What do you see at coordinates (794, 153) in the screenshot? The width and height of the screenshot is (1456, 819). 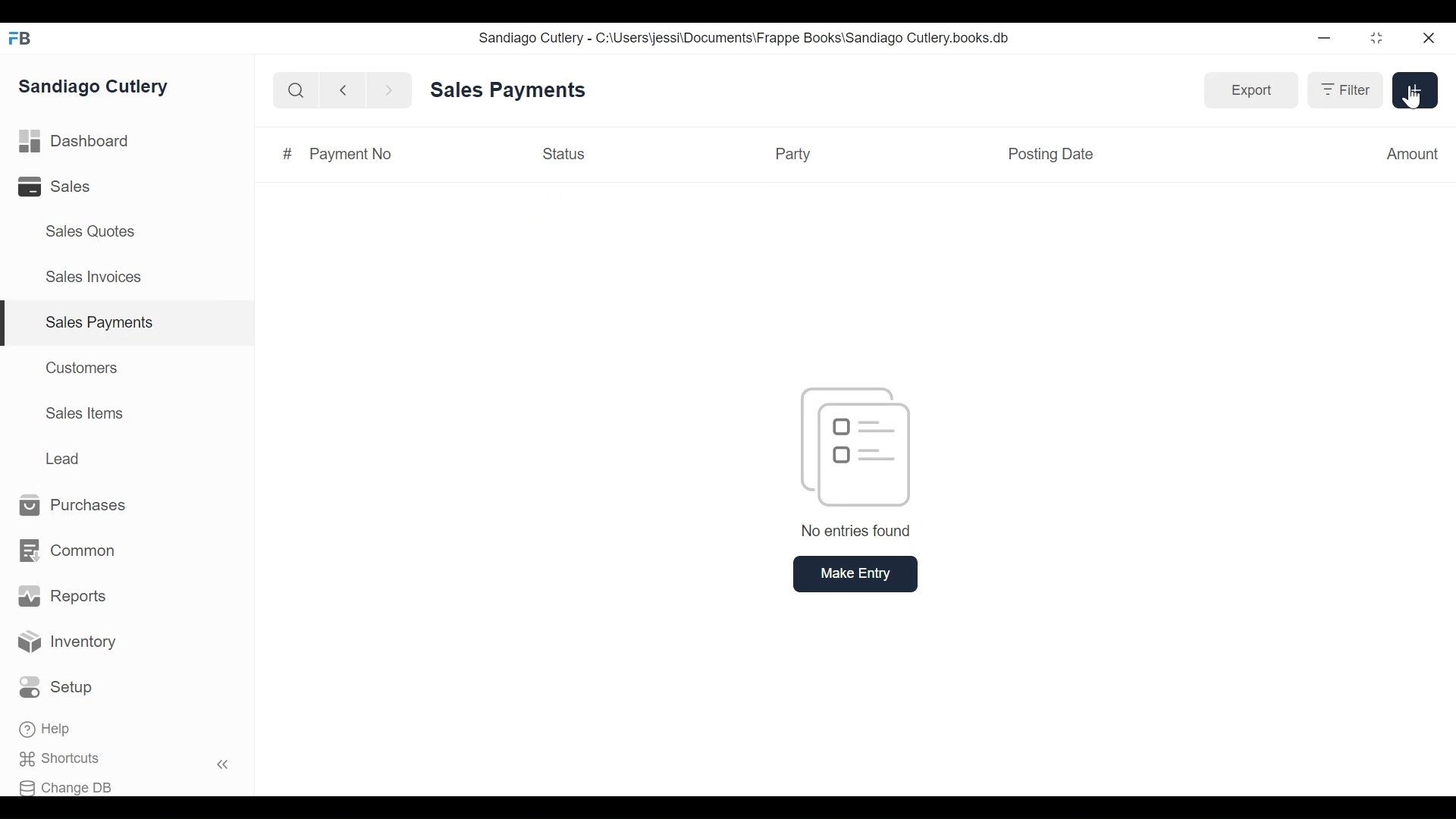 I see `Party` at bounding box center [794, 153].